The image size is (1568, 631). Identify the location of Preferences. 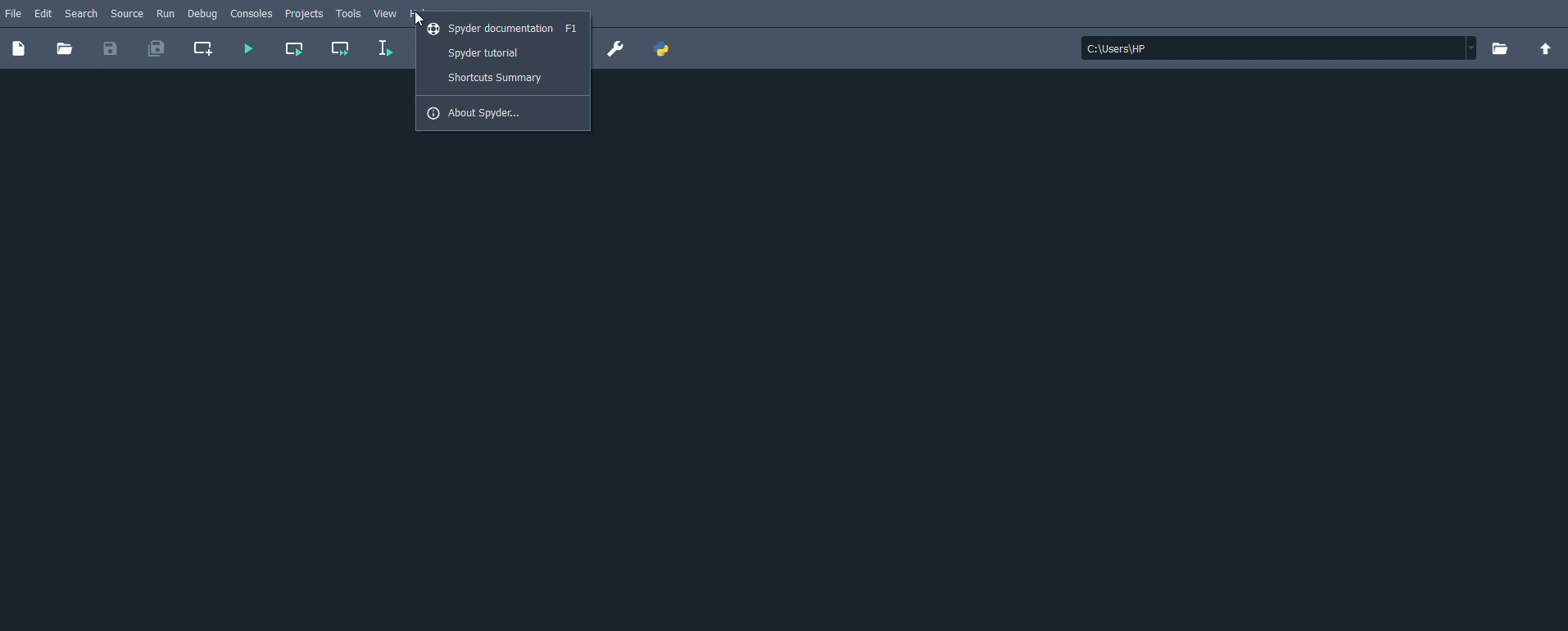
(616, 48).